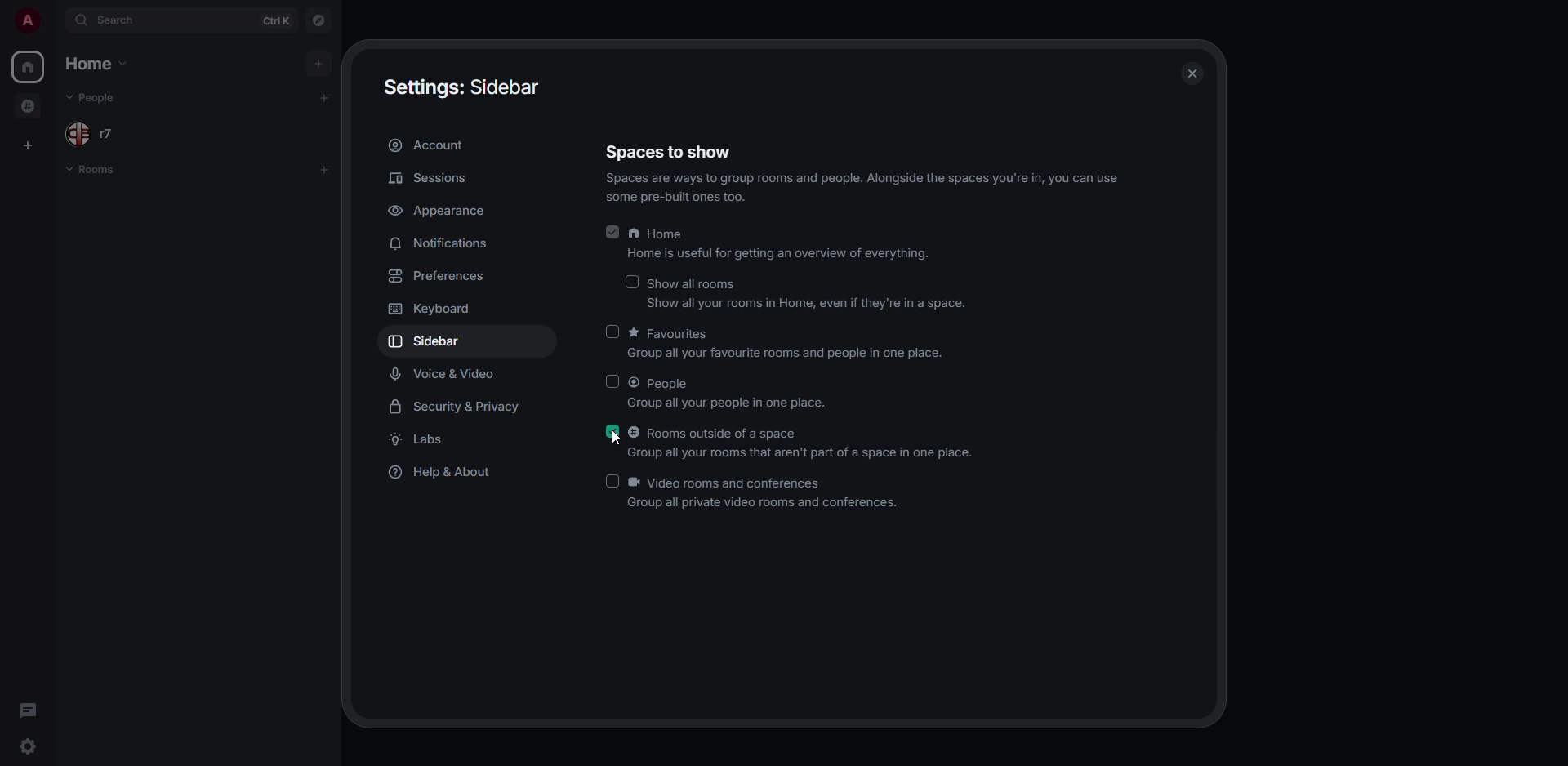 This screenshot has width=1568, height=766. I want to click on click to enable, so click(633, 279).